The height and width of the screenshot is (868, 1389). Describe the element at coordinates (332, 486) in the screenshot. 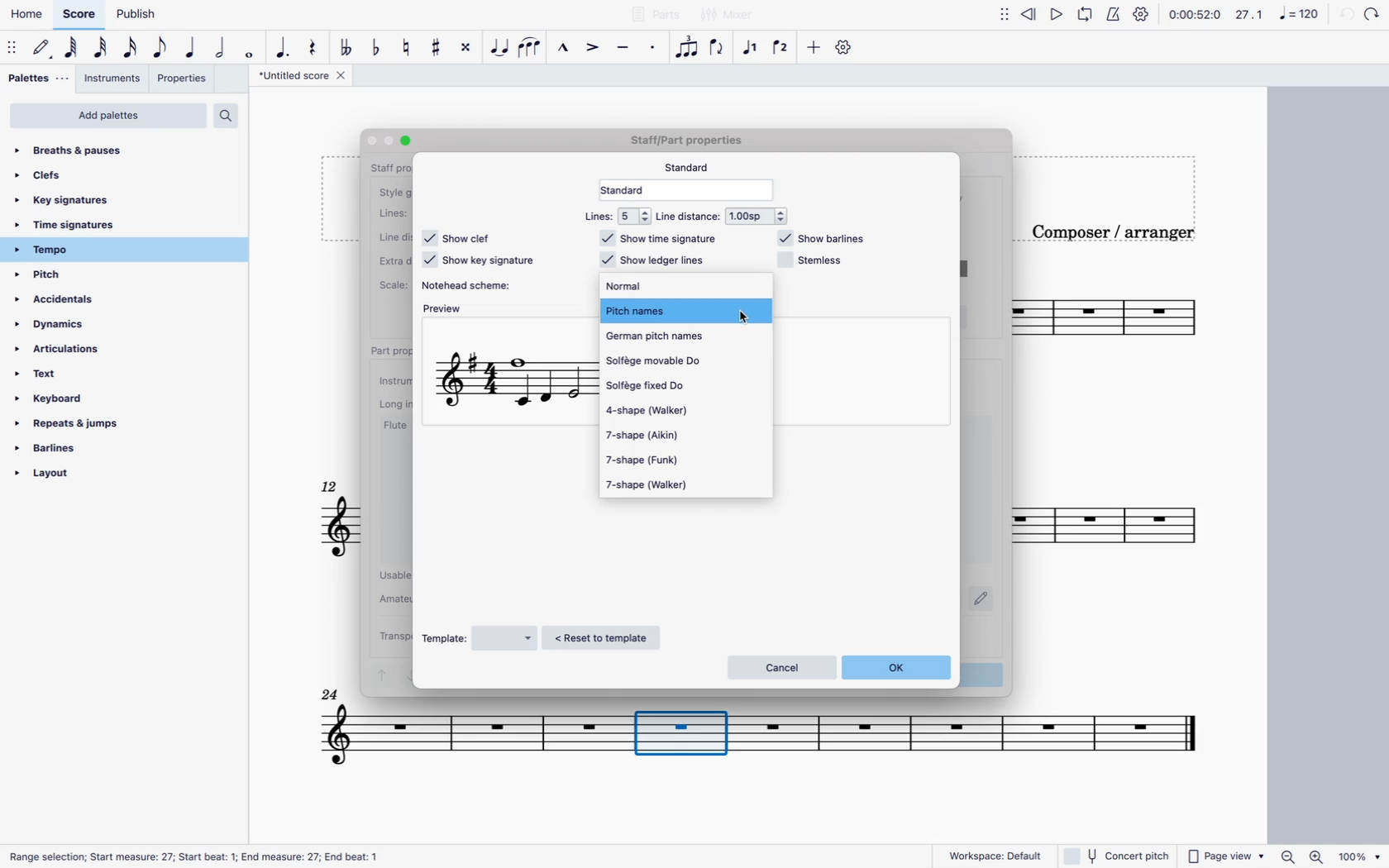

I see `12` at that location.